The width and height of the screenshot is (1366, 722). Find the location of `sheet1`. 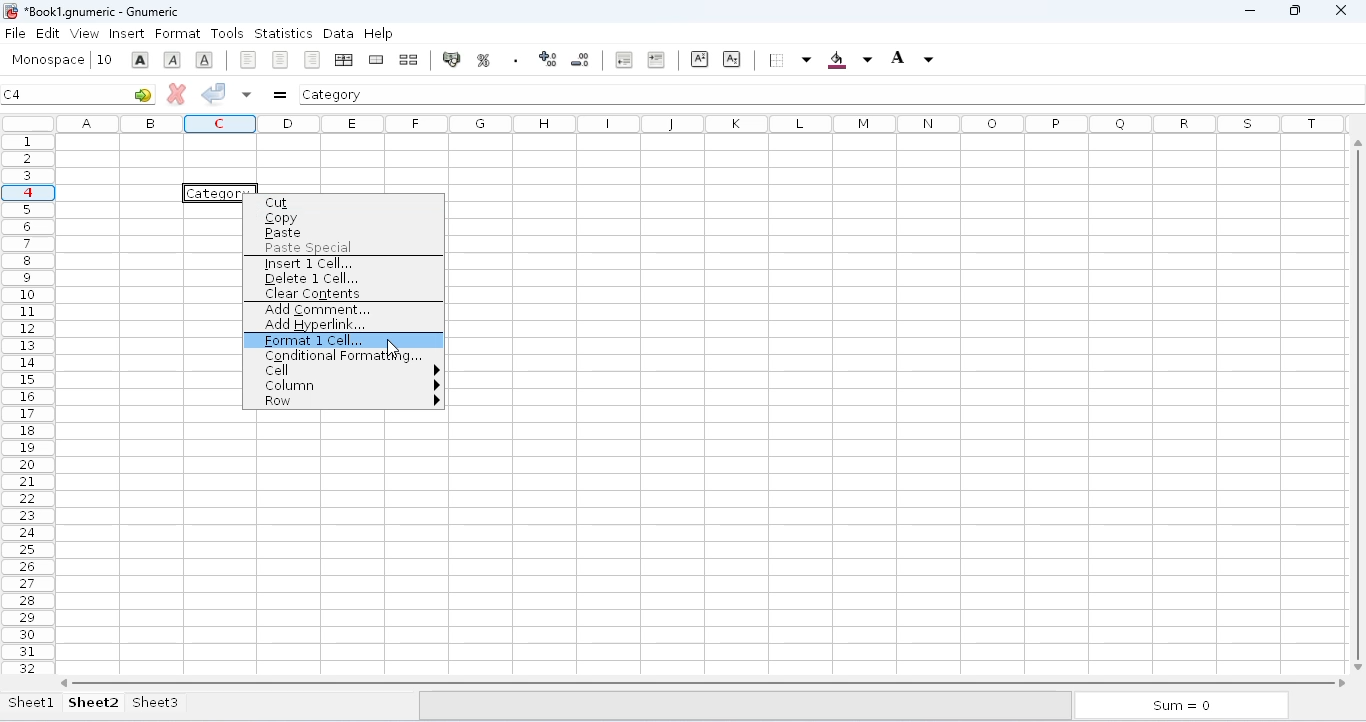

sheet1 is located at coordinates (32, 702).